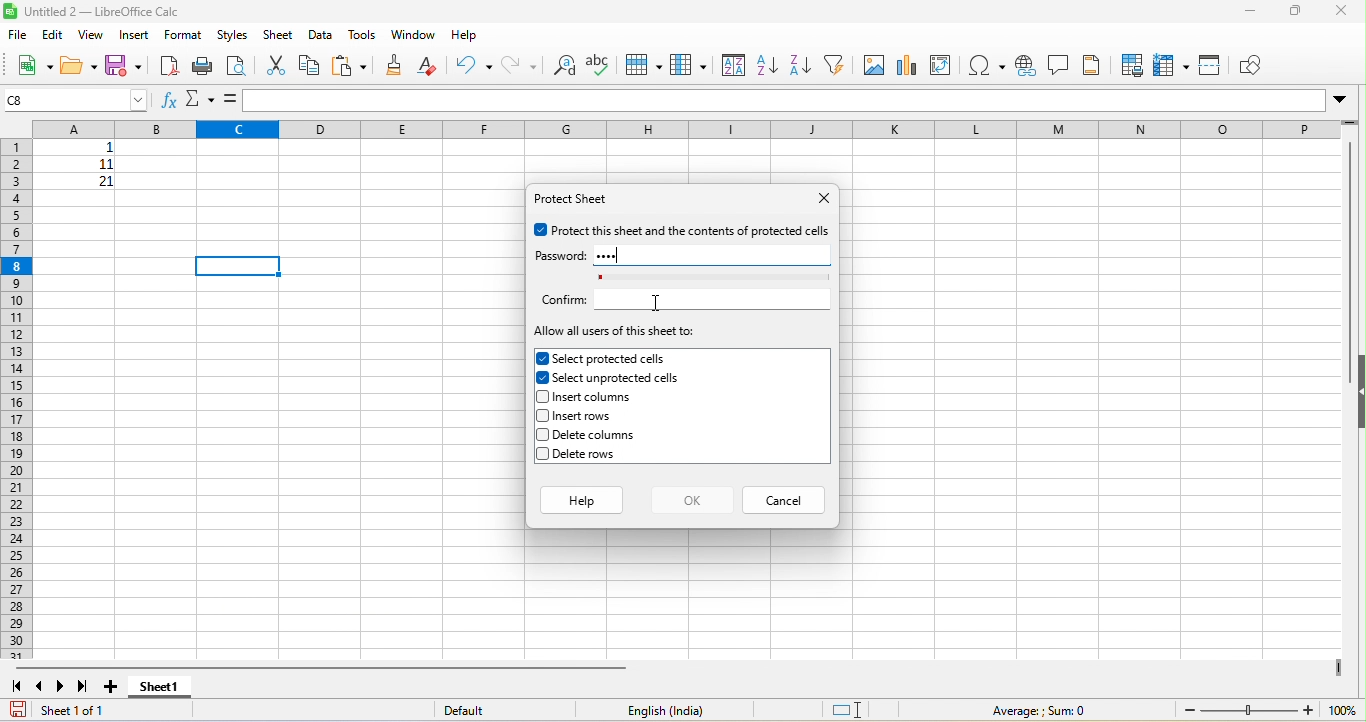 This screenshot has height=722, width=1366. I want to click on data, so click(319, 35).